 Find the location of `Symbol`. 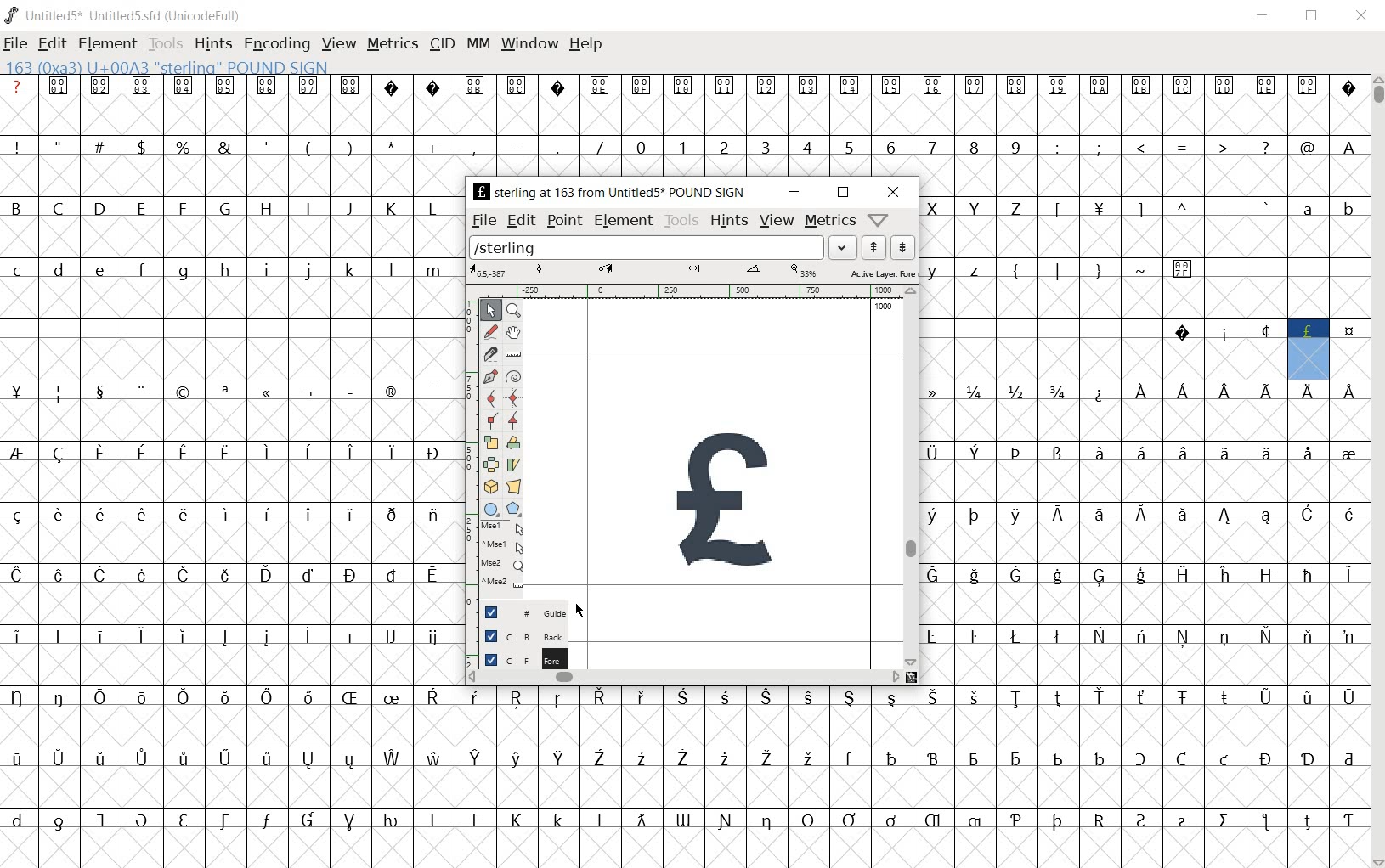

Symbol is located at coordinates (473, 819).